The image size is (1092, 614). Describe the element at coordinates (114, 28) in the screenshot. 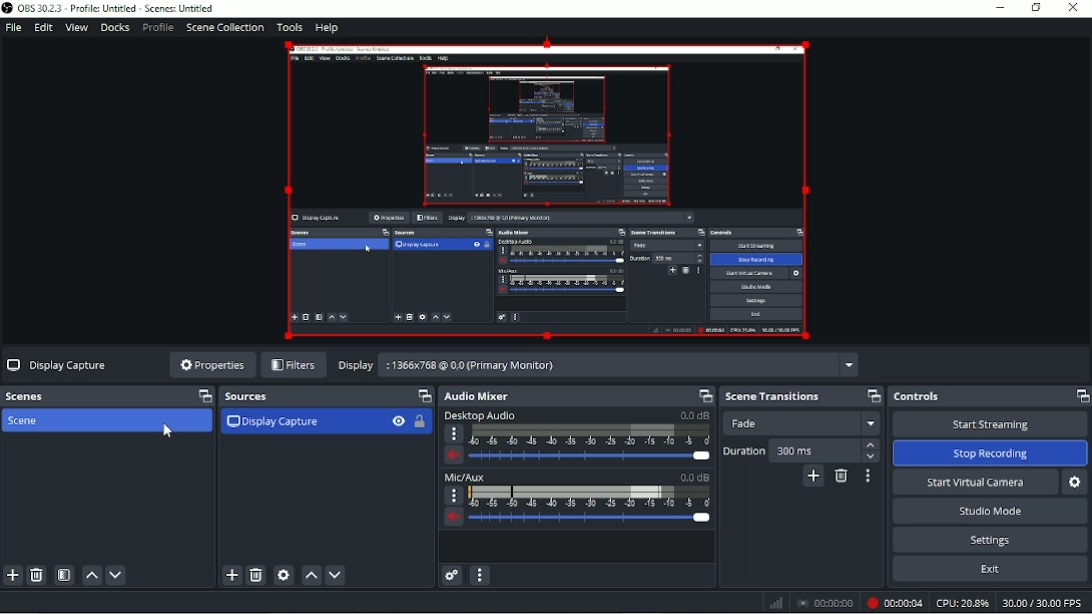

I see `Docks` at that location.